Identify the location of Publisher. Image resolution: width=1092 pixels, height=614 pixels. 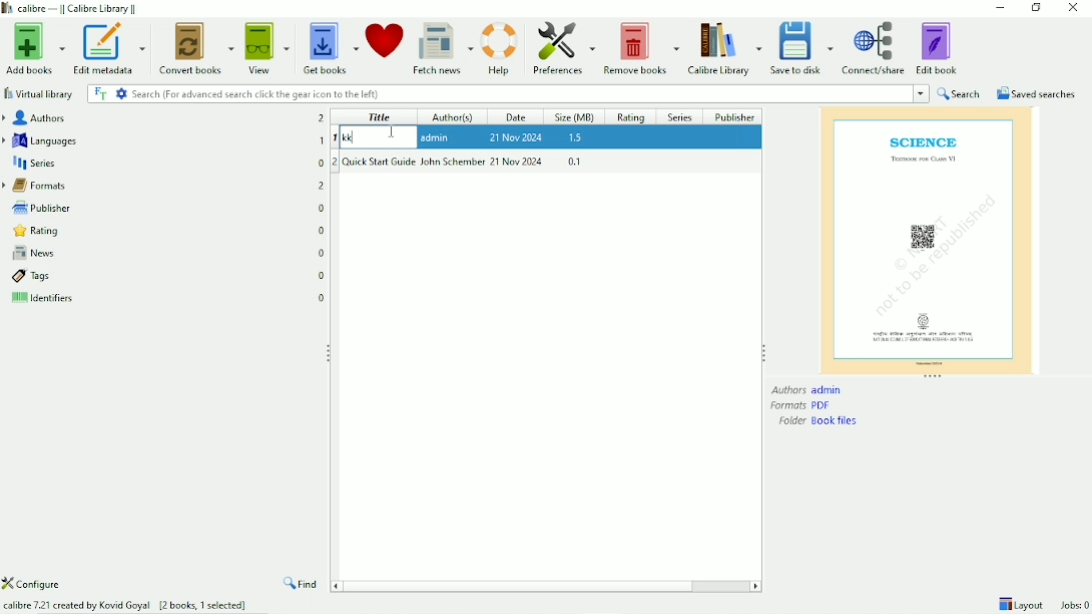
(38, 206).